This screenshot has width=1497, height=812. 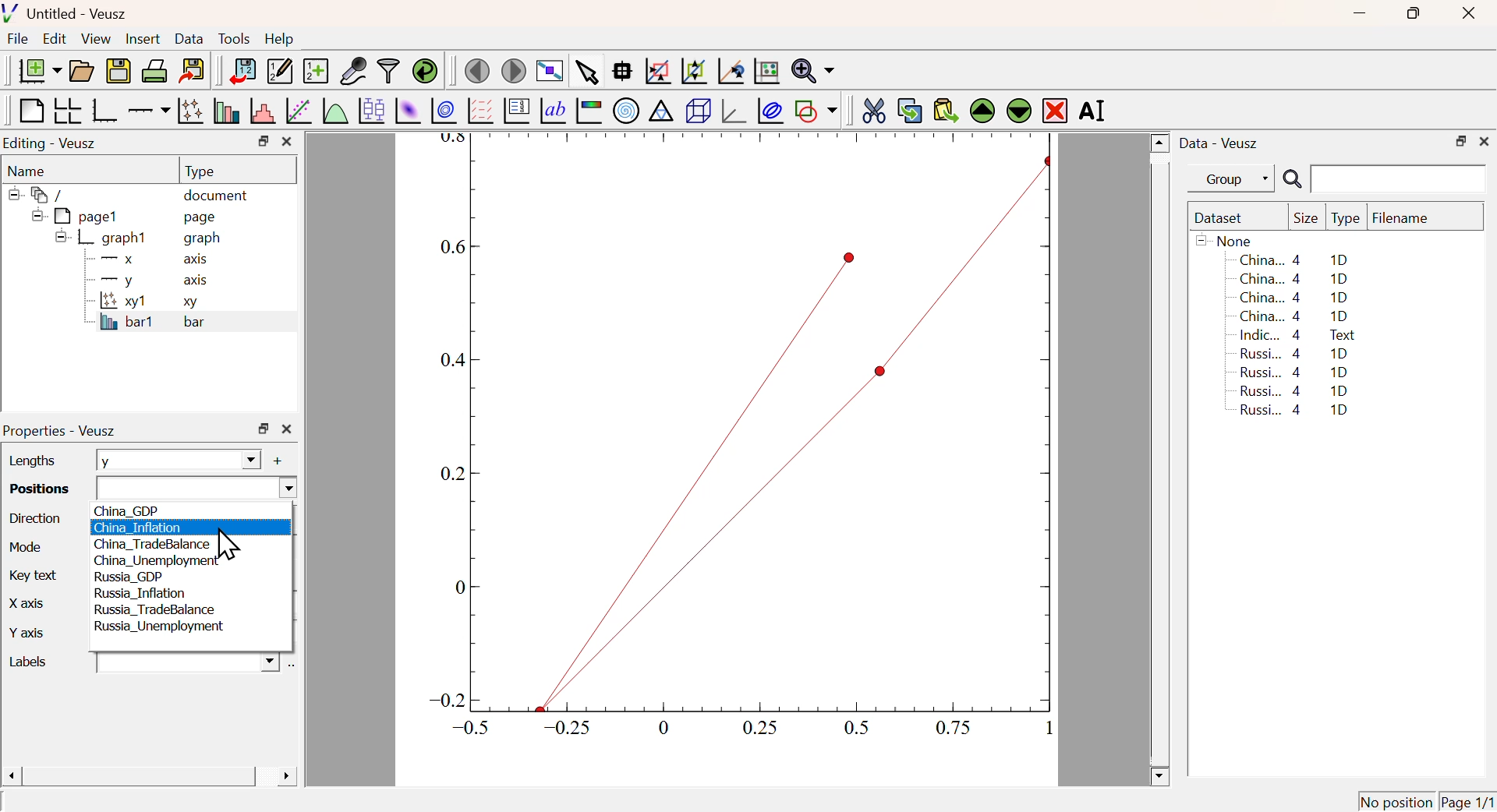 What do you see at coordinates (299, 112) in the screenshot?
I see `Fit a function to data` at bounding box center [299, 112].